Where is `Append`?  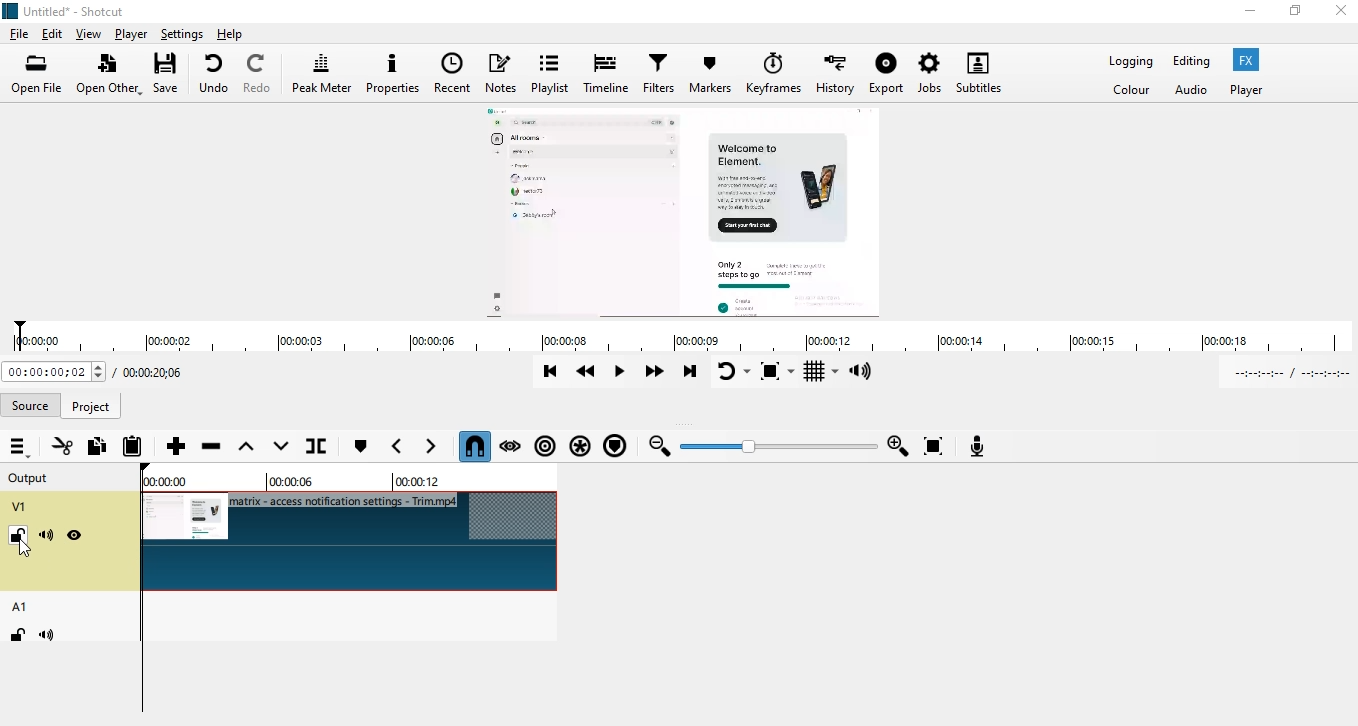
Append is located at coordinates (176, 445).